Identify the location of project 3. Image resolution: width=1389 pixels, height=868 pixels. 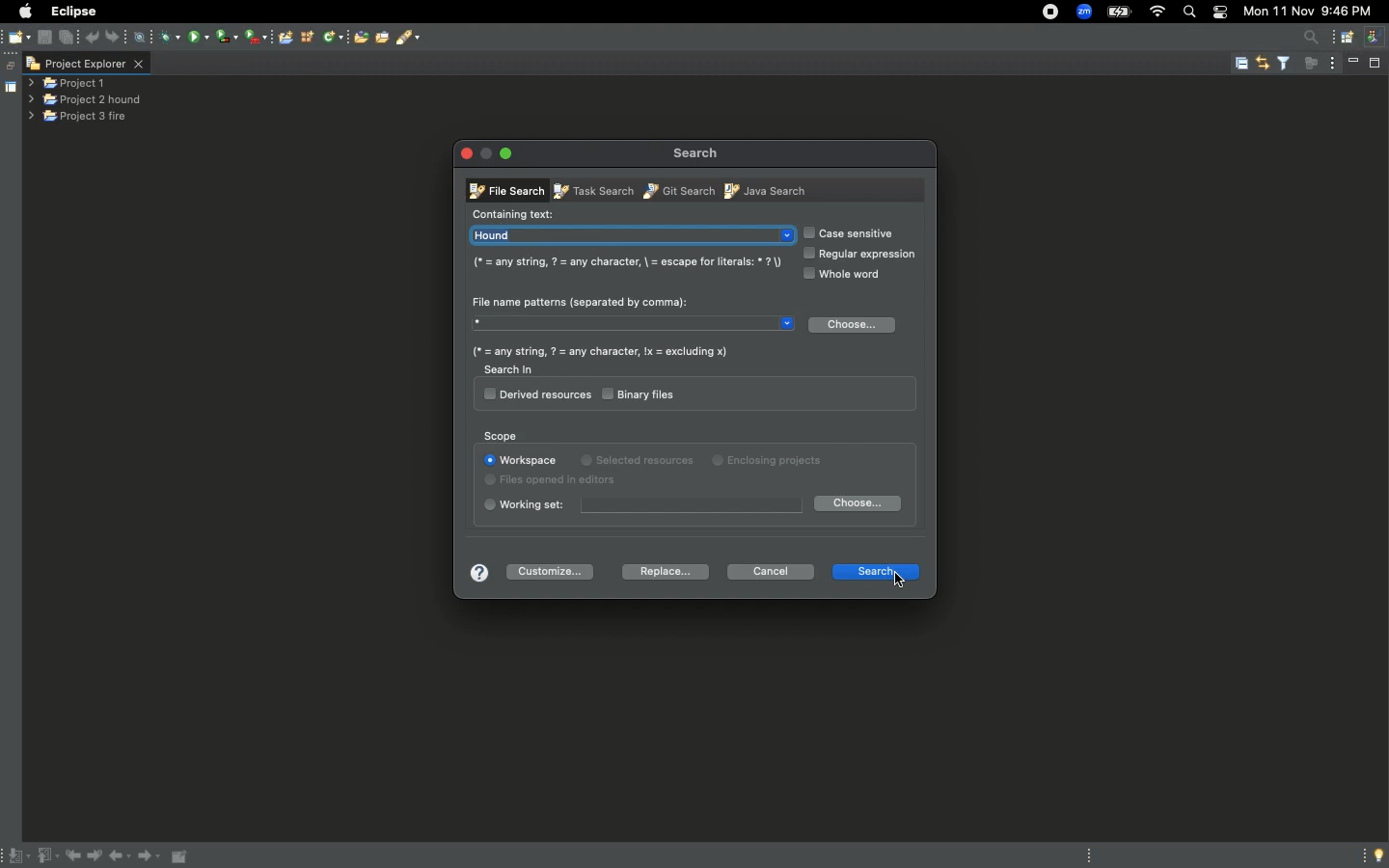
(85, 118).